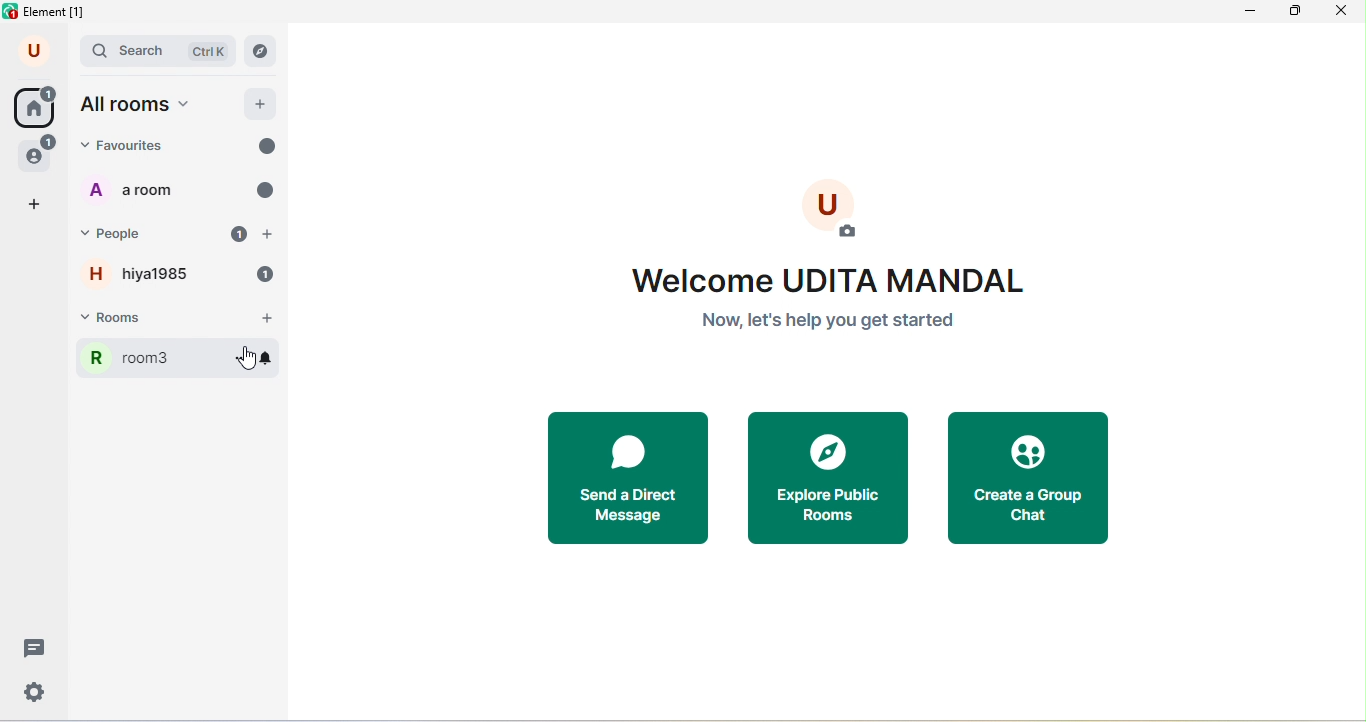  I want to click on account, so click(36, 52).